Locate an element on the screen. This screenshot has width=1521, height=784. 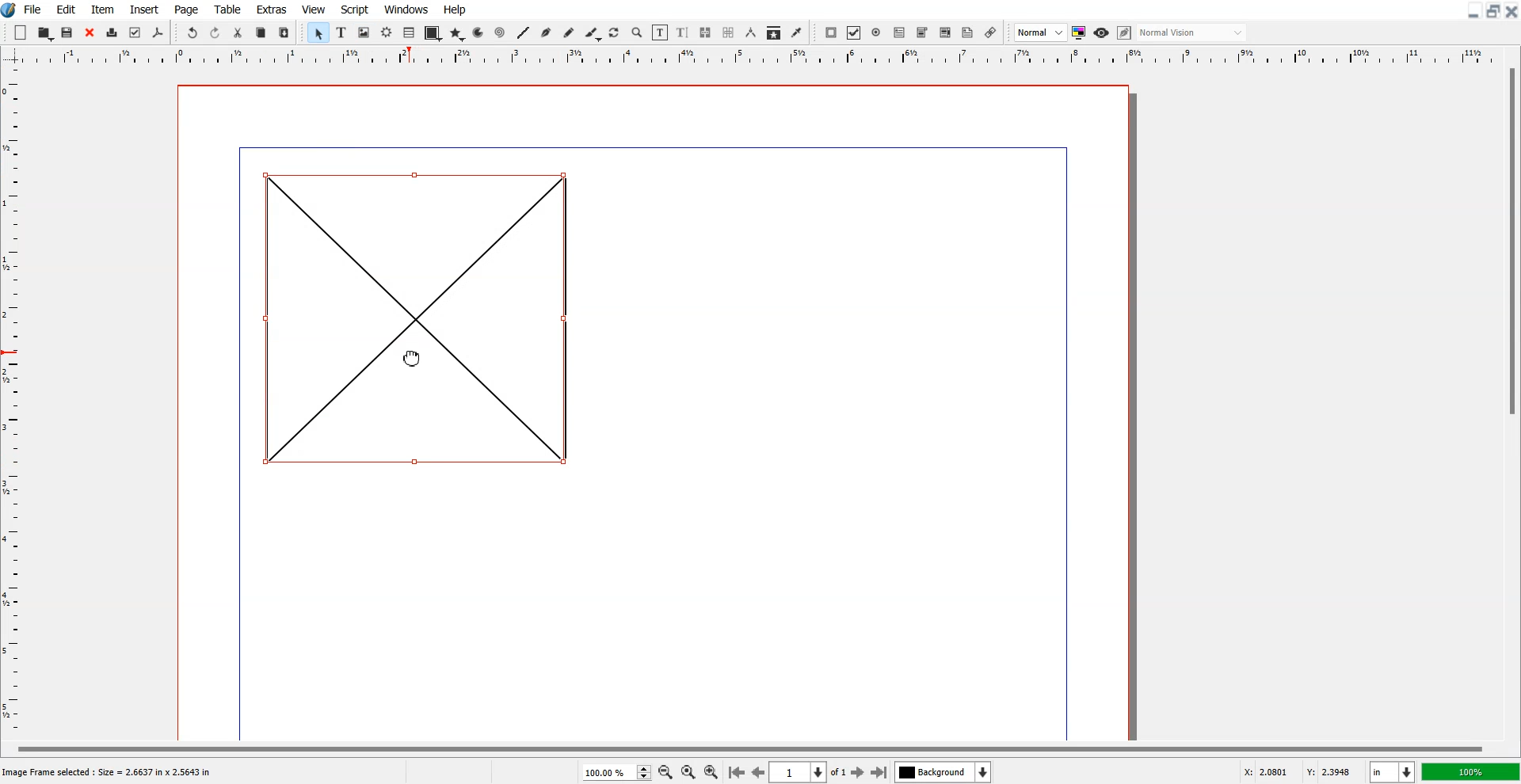
Select Item is located at coordinates (318, 33).